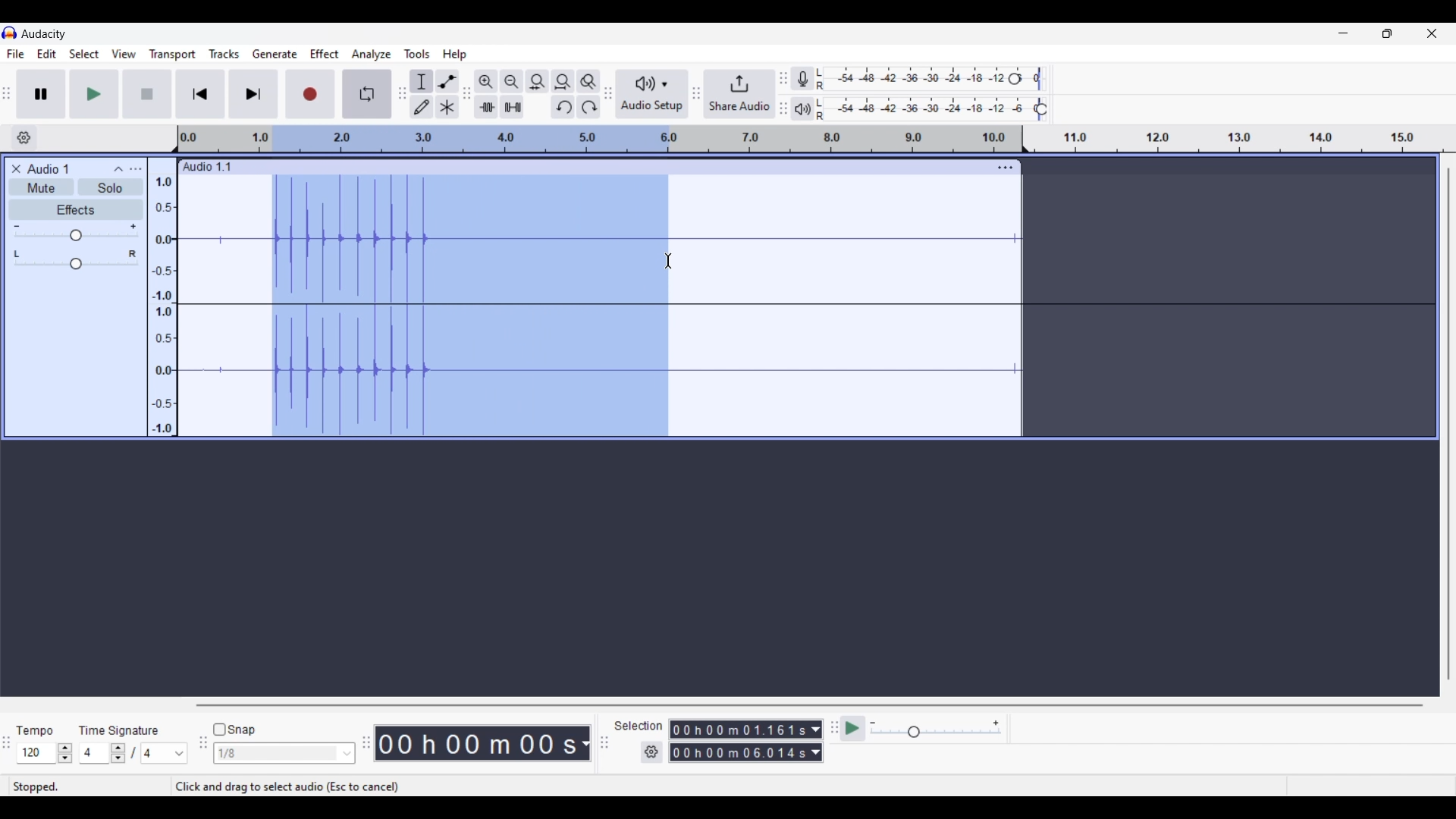  I want to click on Recorded duration, so click(476, 743).